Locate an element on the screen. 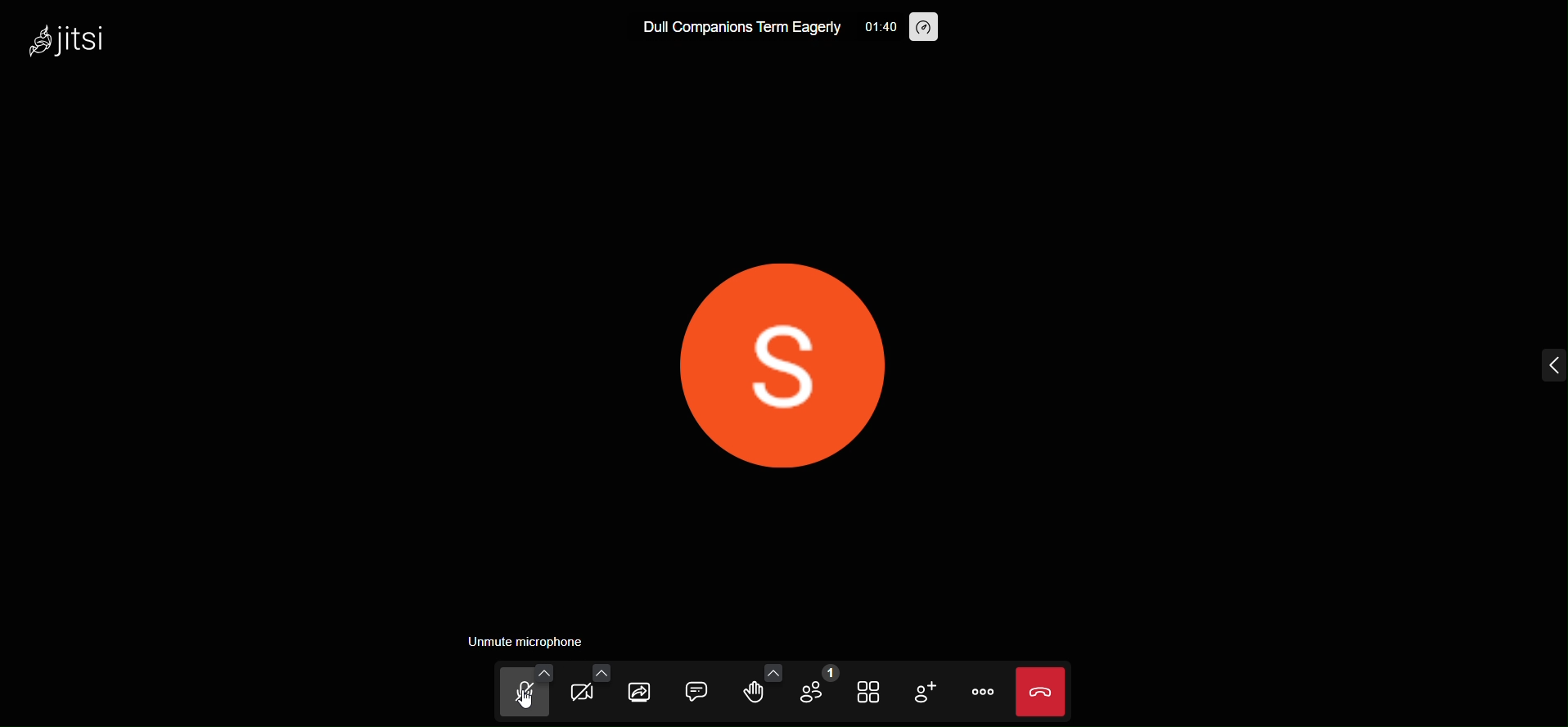 The height and width of the screenshot is (727, 1568). video setting is located at coordinates (600, 672).